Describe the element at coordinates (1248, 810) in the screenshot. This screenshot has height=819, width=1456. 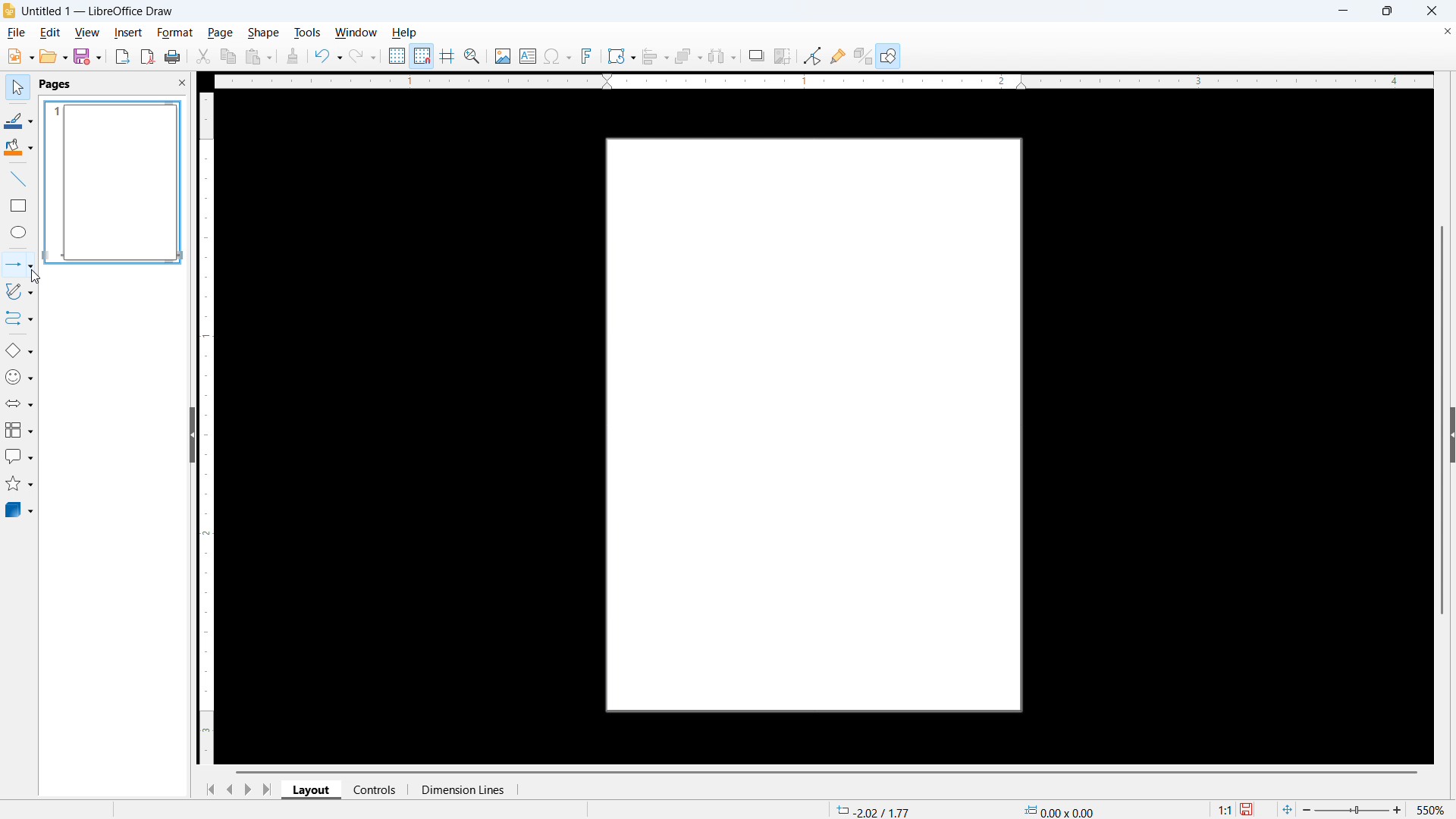
I see `save ` at that location.